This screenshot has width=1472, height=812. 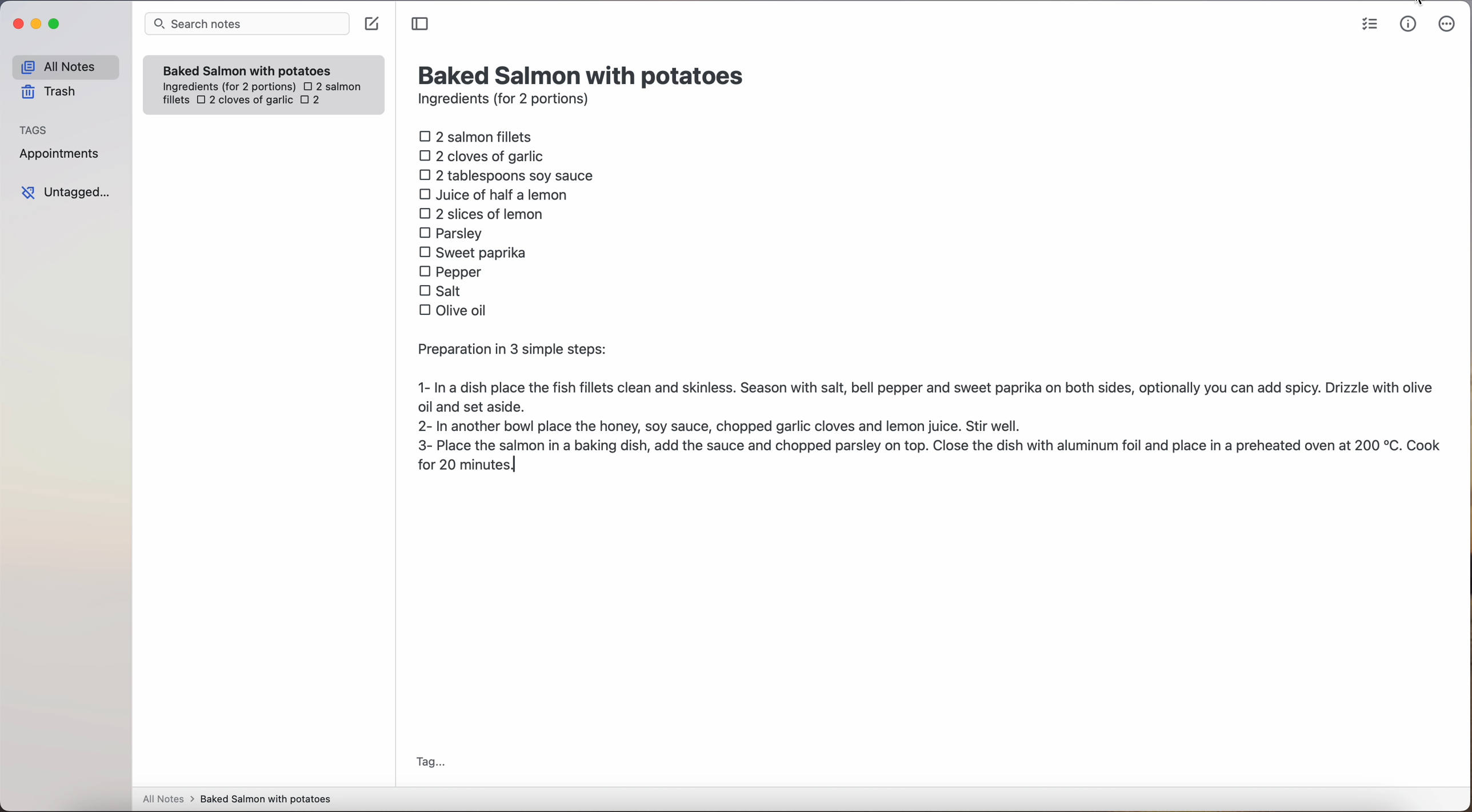 I want to click on trash, so click(x=53, y=92).